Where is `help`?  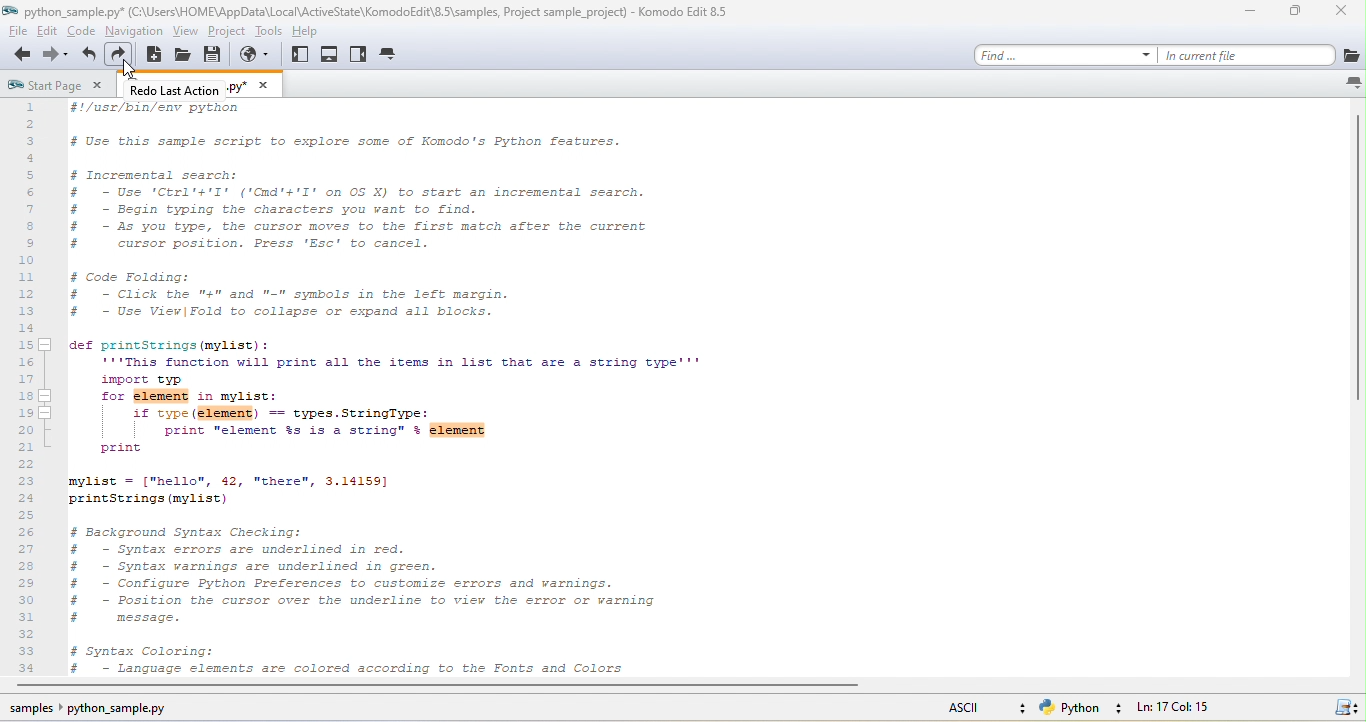 help is located at coordinates (305, 30).